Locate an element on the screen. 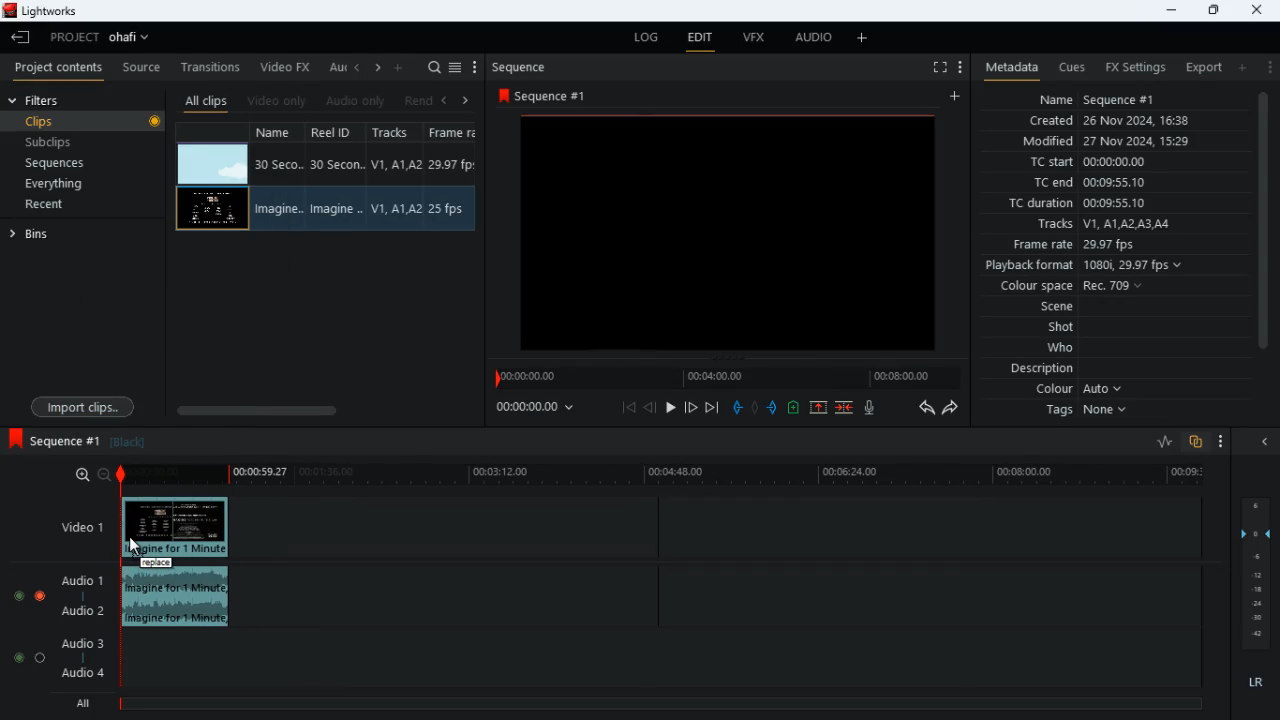 The width and height of the screenshot is (1280, 720). sequence is located at coordinates (558, 95).